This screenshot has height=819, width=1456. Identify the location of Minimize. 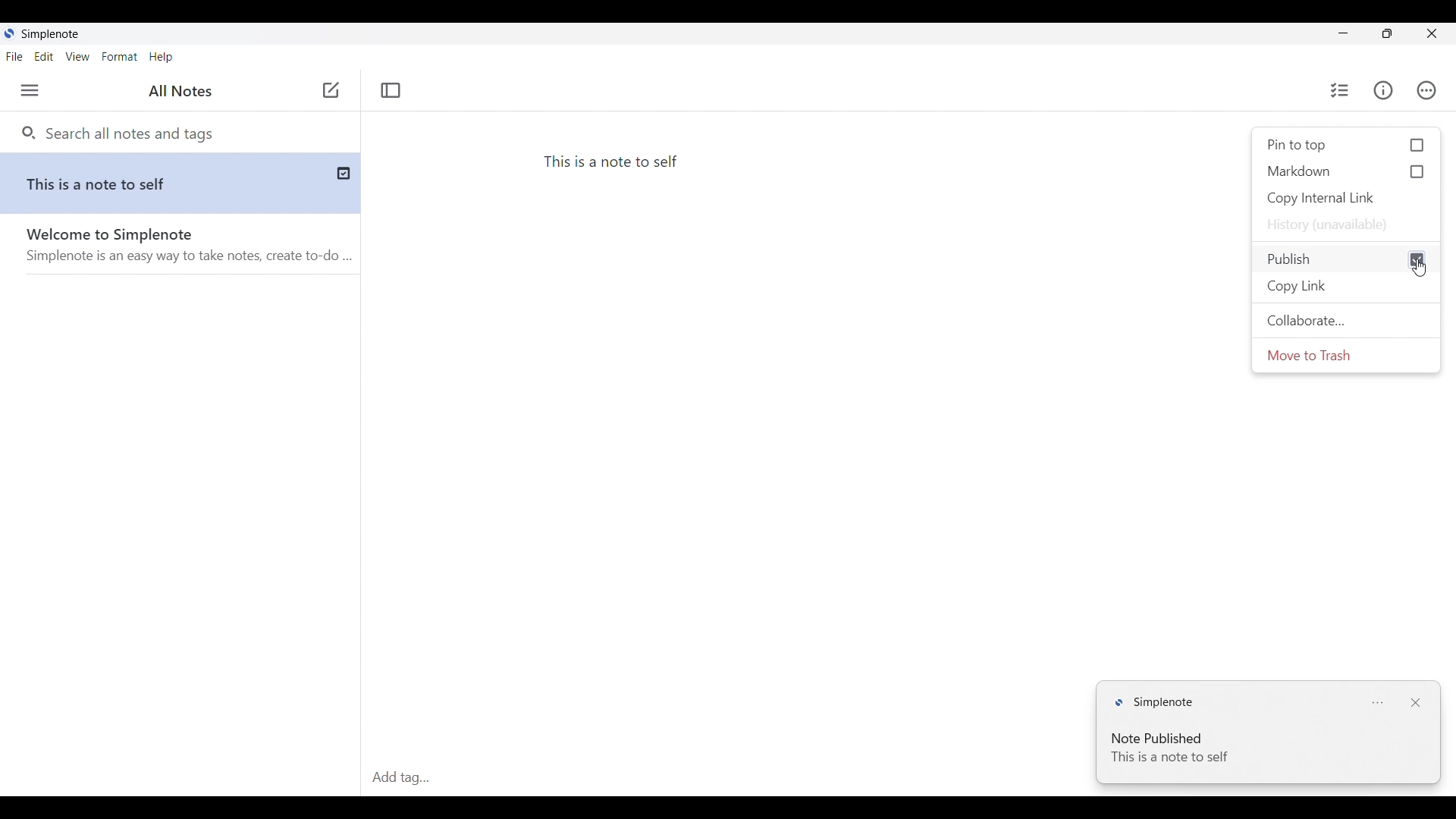
(1344, 33).